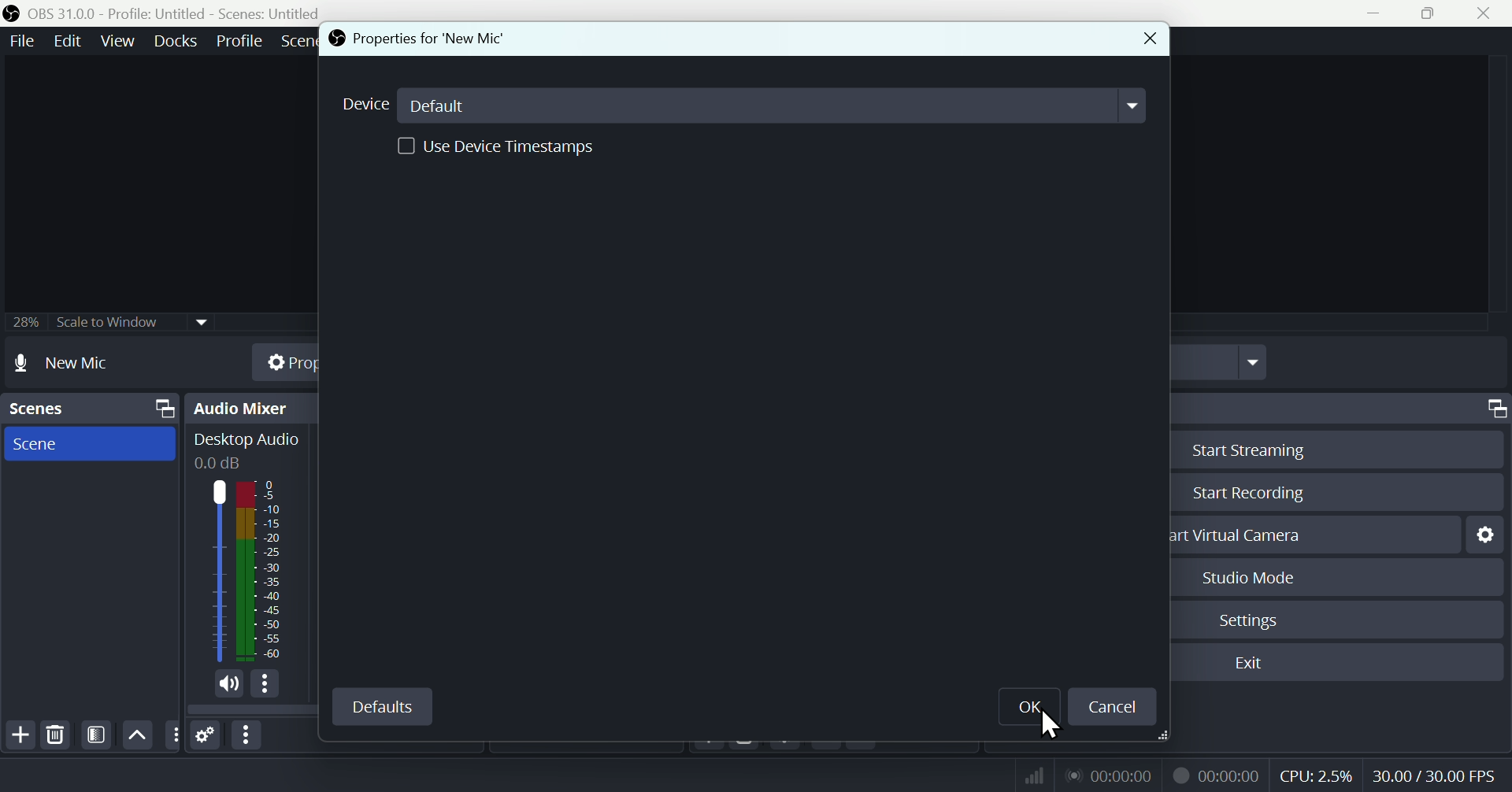 The image size is (1512, 792). What do you see at coordinates (1434, 777) in the screenshot?
I see `Frame Per Second` at bounding box center [1434, 777].